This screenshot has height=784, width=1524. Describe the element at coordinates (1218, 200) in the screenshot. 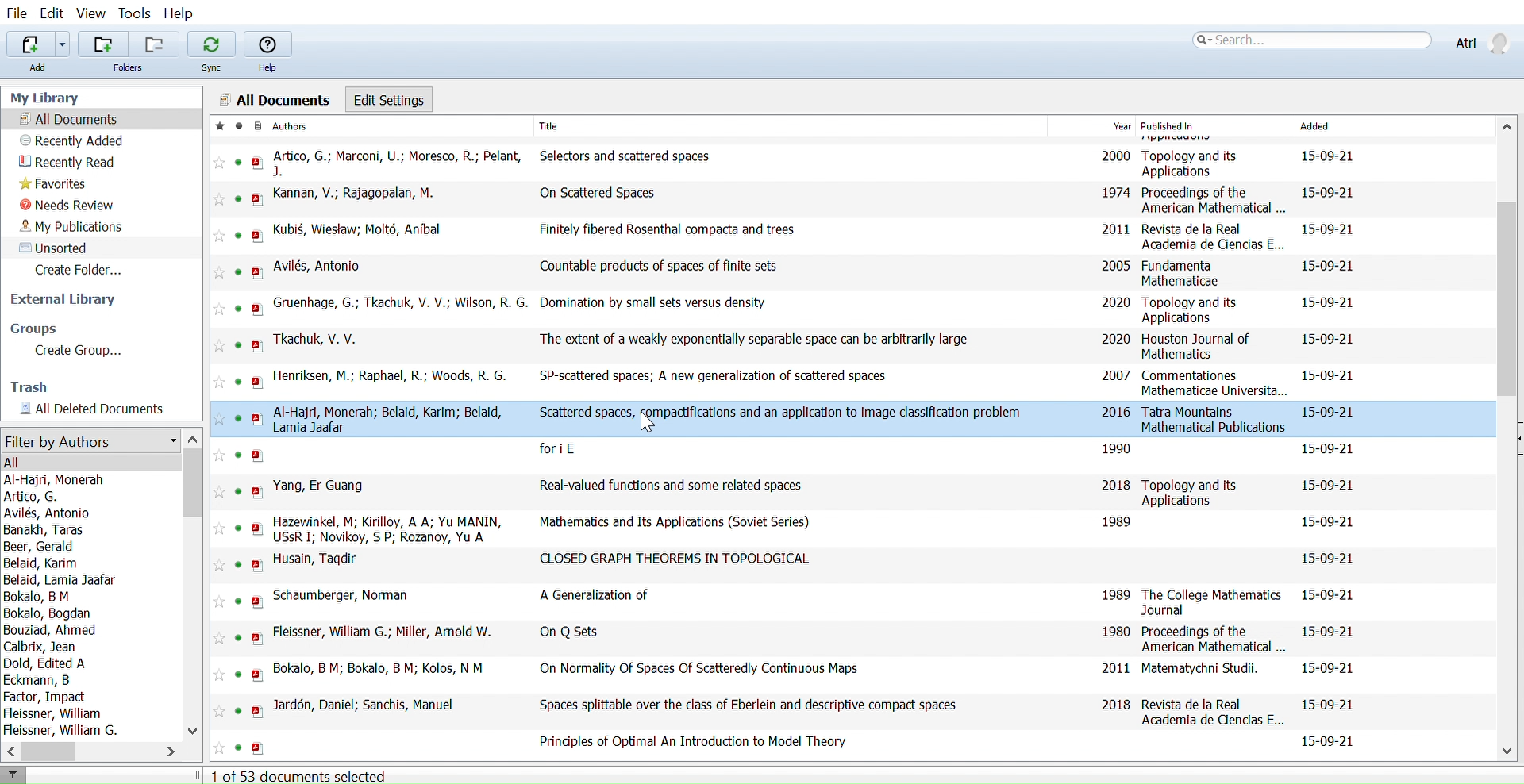

I see `Proceedings of the American Mathematical...` at that location.